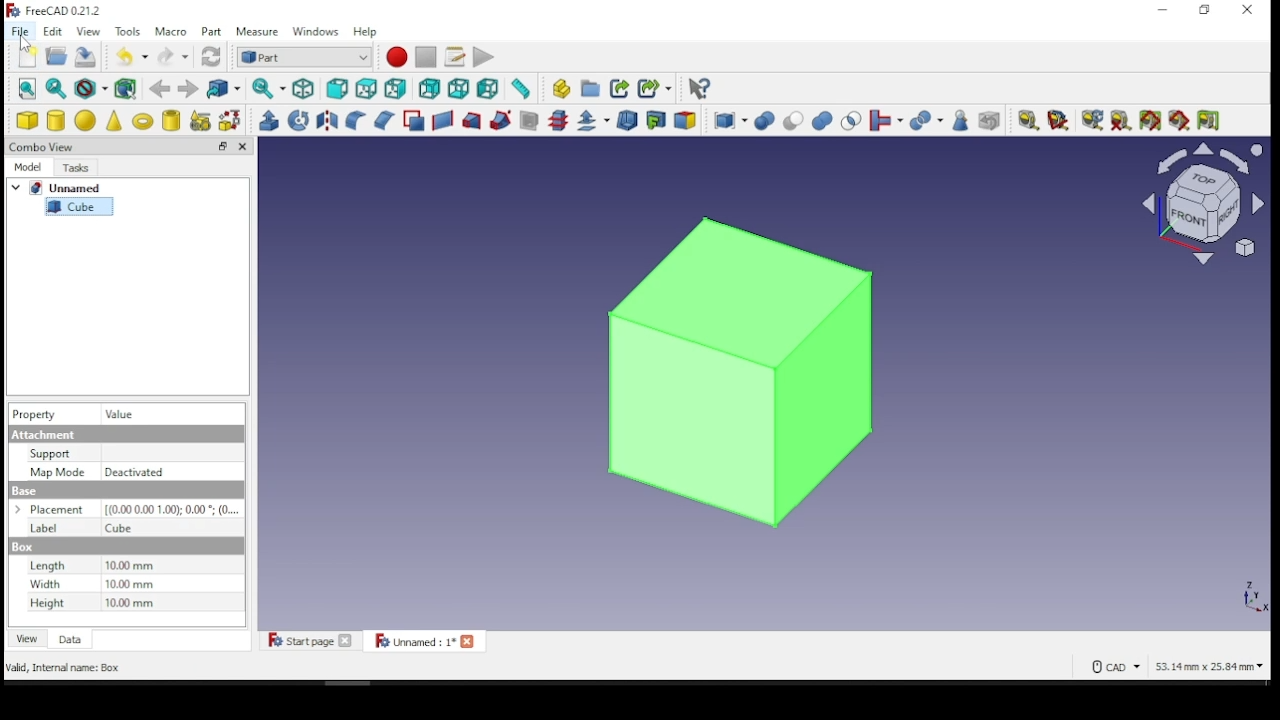  What do you see at coordinates (627, 121) in the screenshot?
I see `thickness` at bounding box center [627, 121].